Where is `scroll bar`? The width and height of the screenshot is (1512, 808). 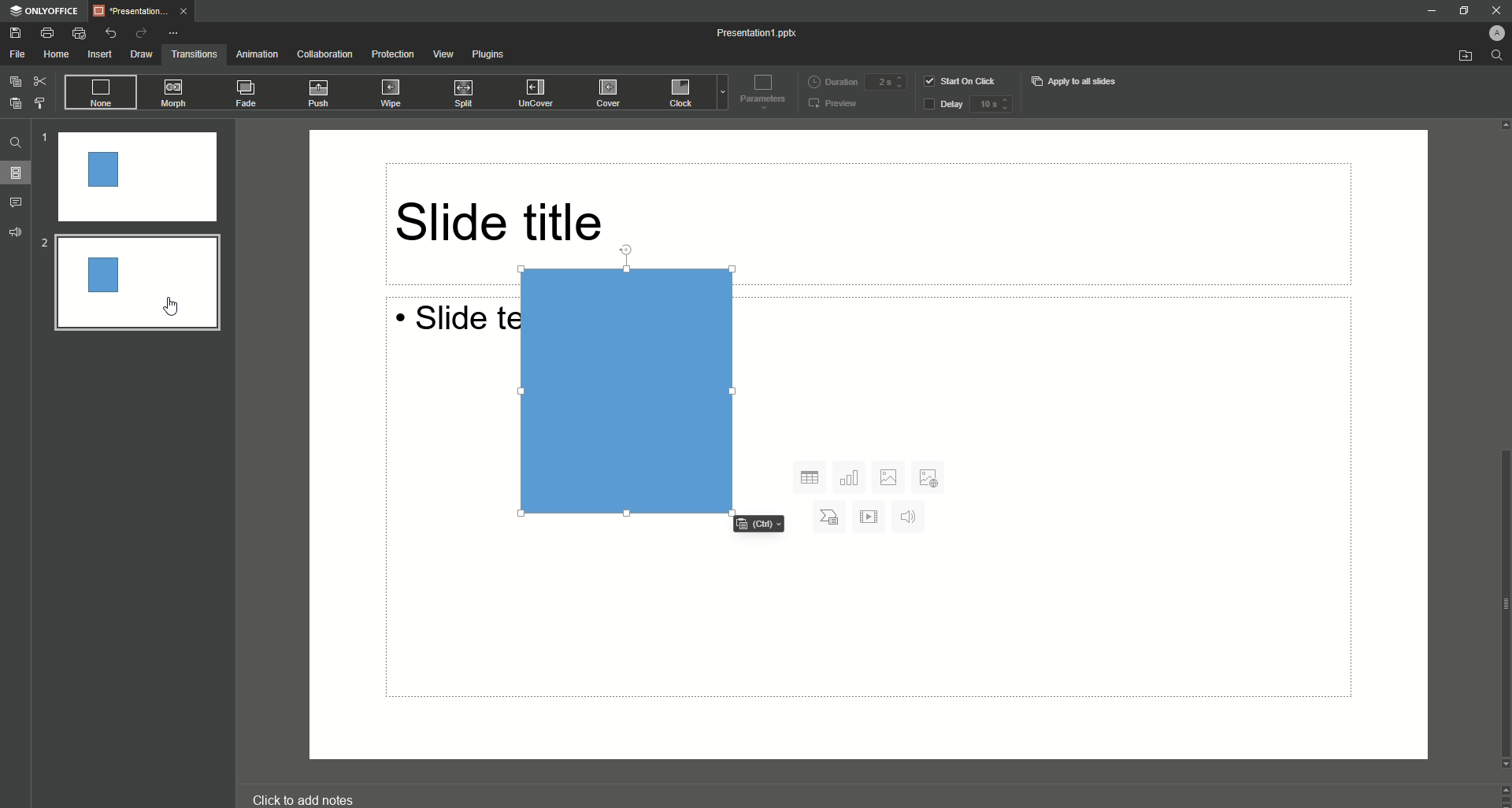 scroll bar is located at coordinates (1503, 598).